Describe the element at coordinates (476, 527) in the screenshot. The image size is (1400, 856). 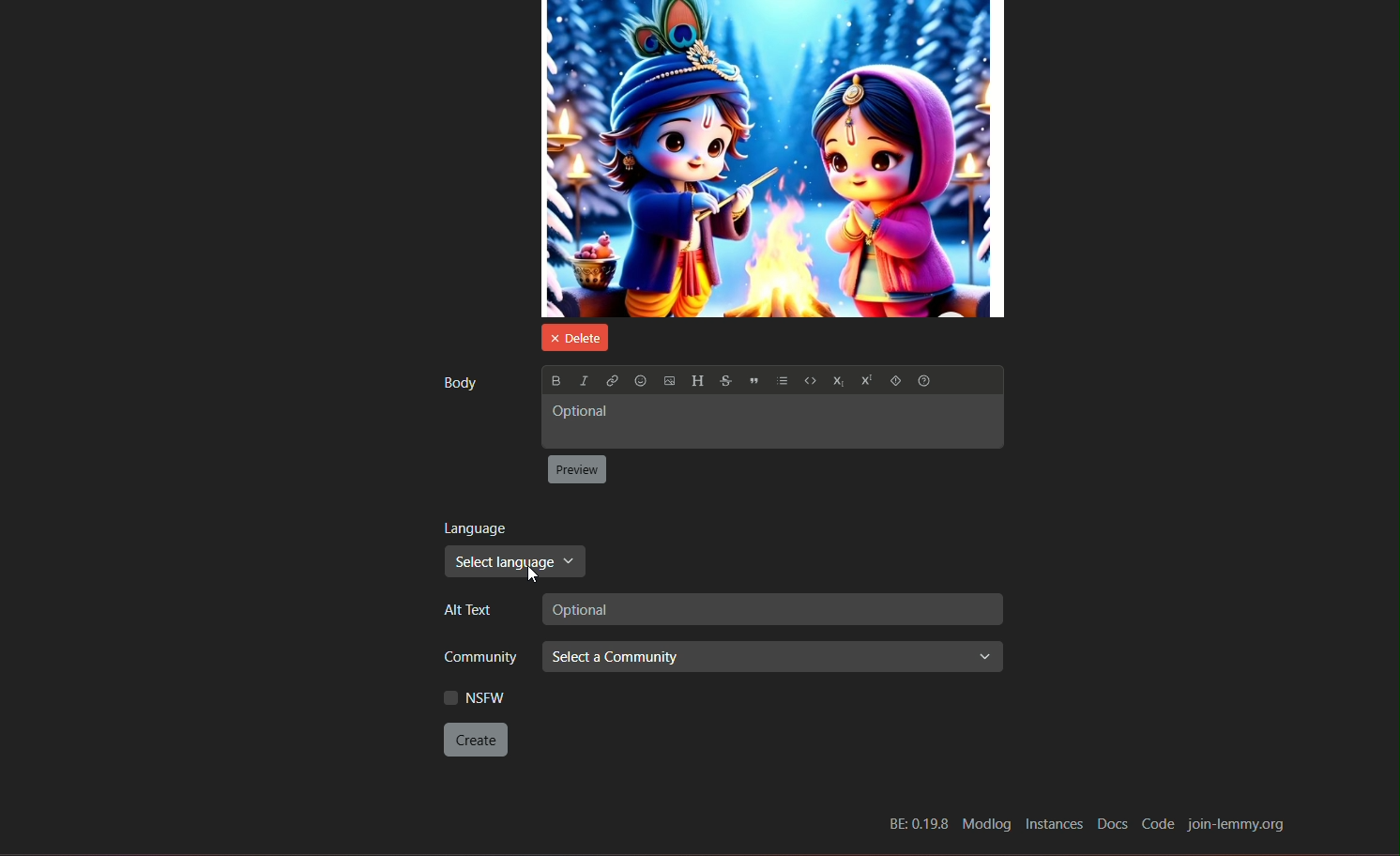
I see `language` at that location.